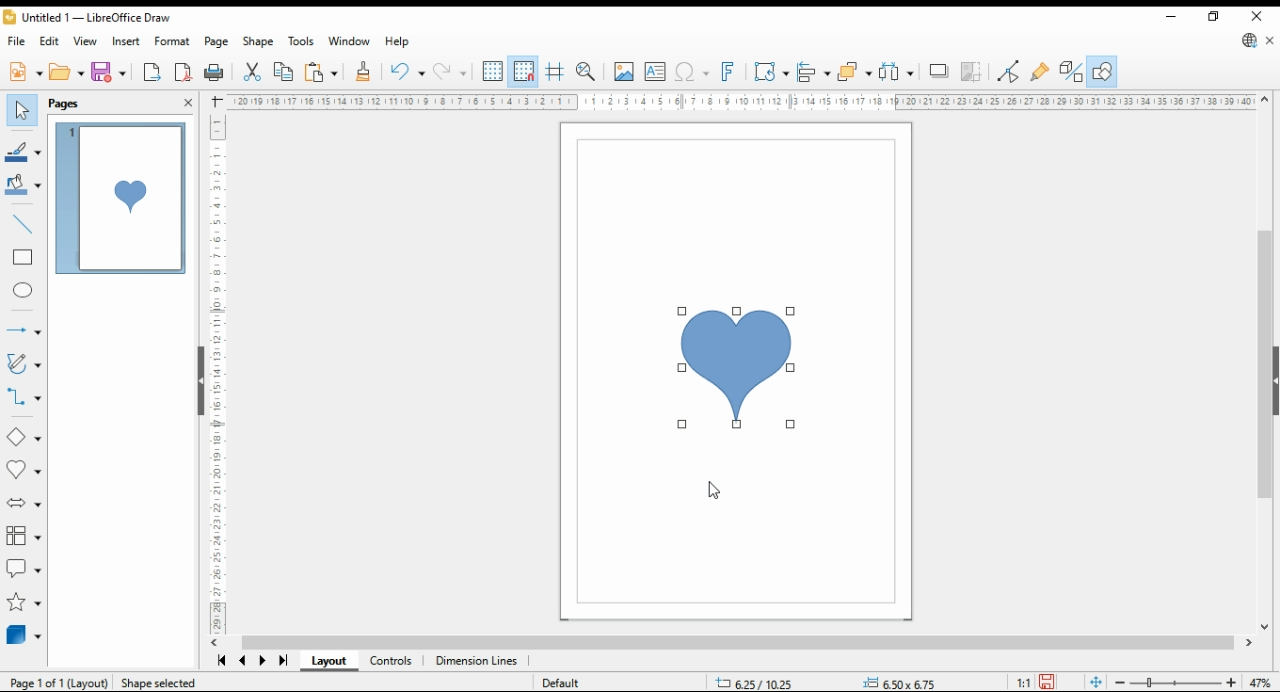 The width and height of the screenshot is (1280, 692). Describe the element at coordinates (215, 72) in the screenshot. I see `print` at that location.